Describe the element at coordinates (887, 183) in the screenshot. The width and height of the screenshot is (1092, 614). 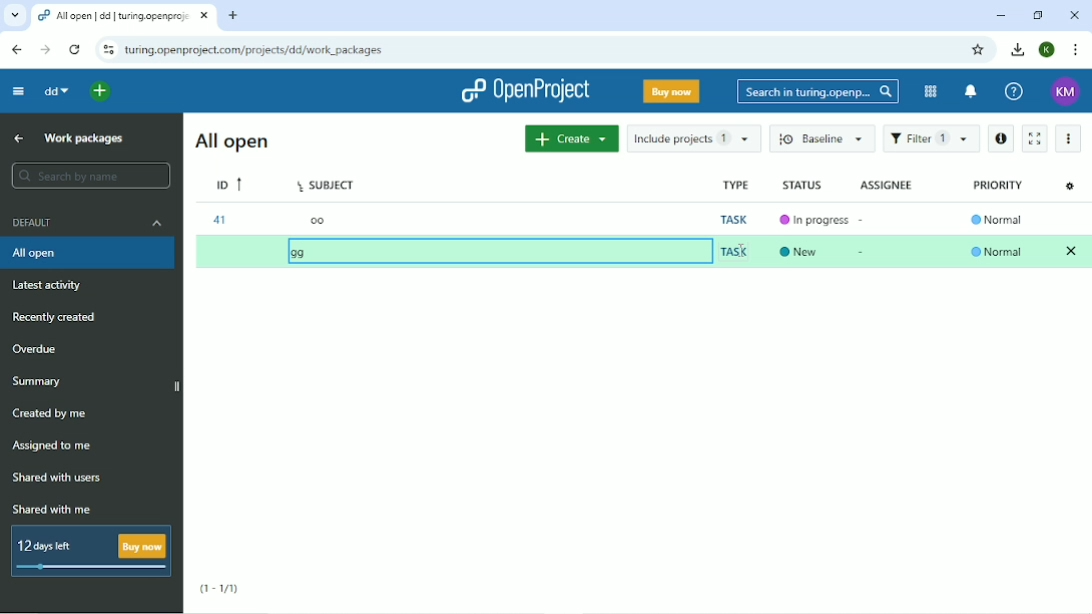
I see `Assignee` at that location.